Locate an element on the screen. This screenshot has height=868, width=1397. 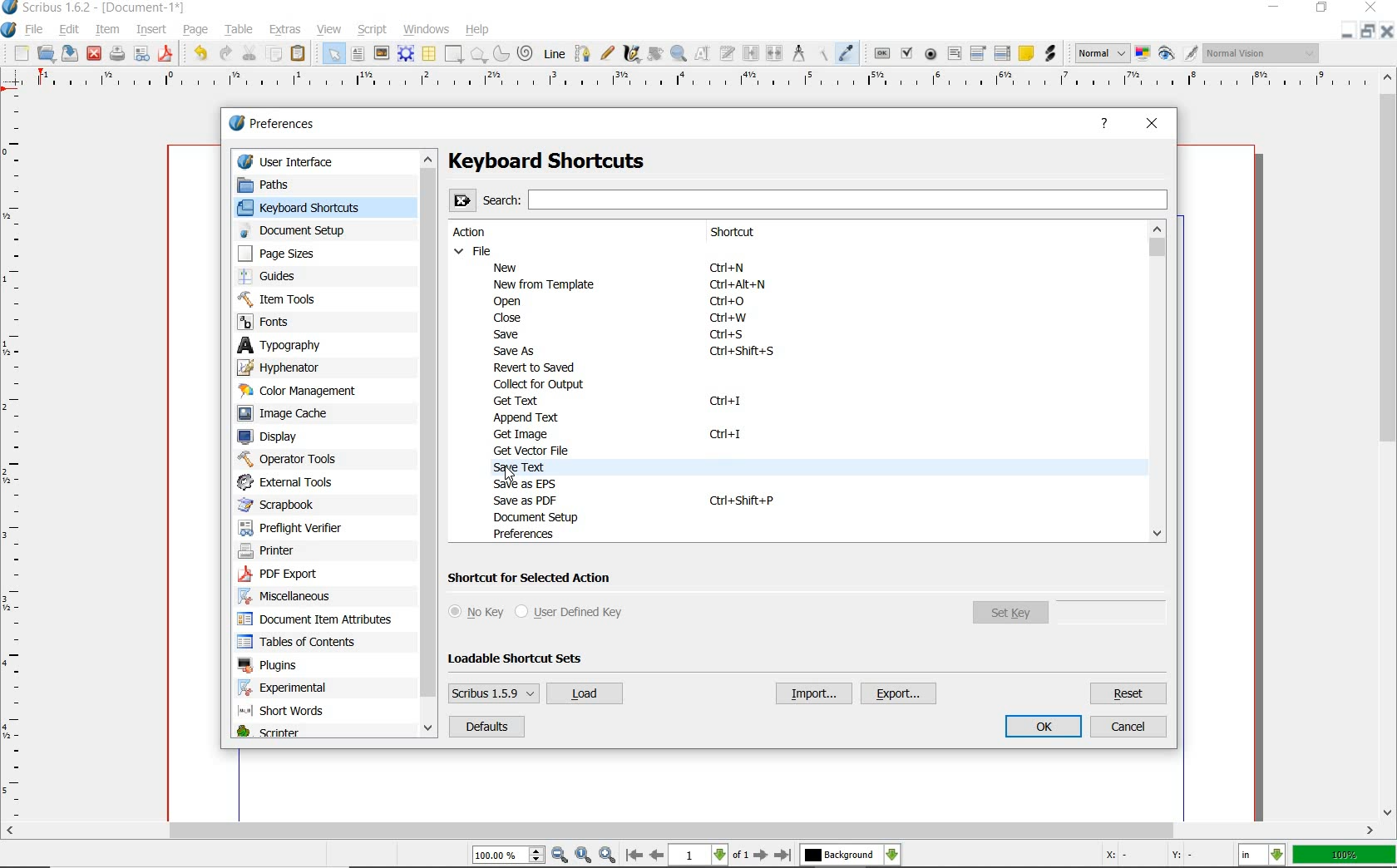
export is located at coordinates (900, 694).